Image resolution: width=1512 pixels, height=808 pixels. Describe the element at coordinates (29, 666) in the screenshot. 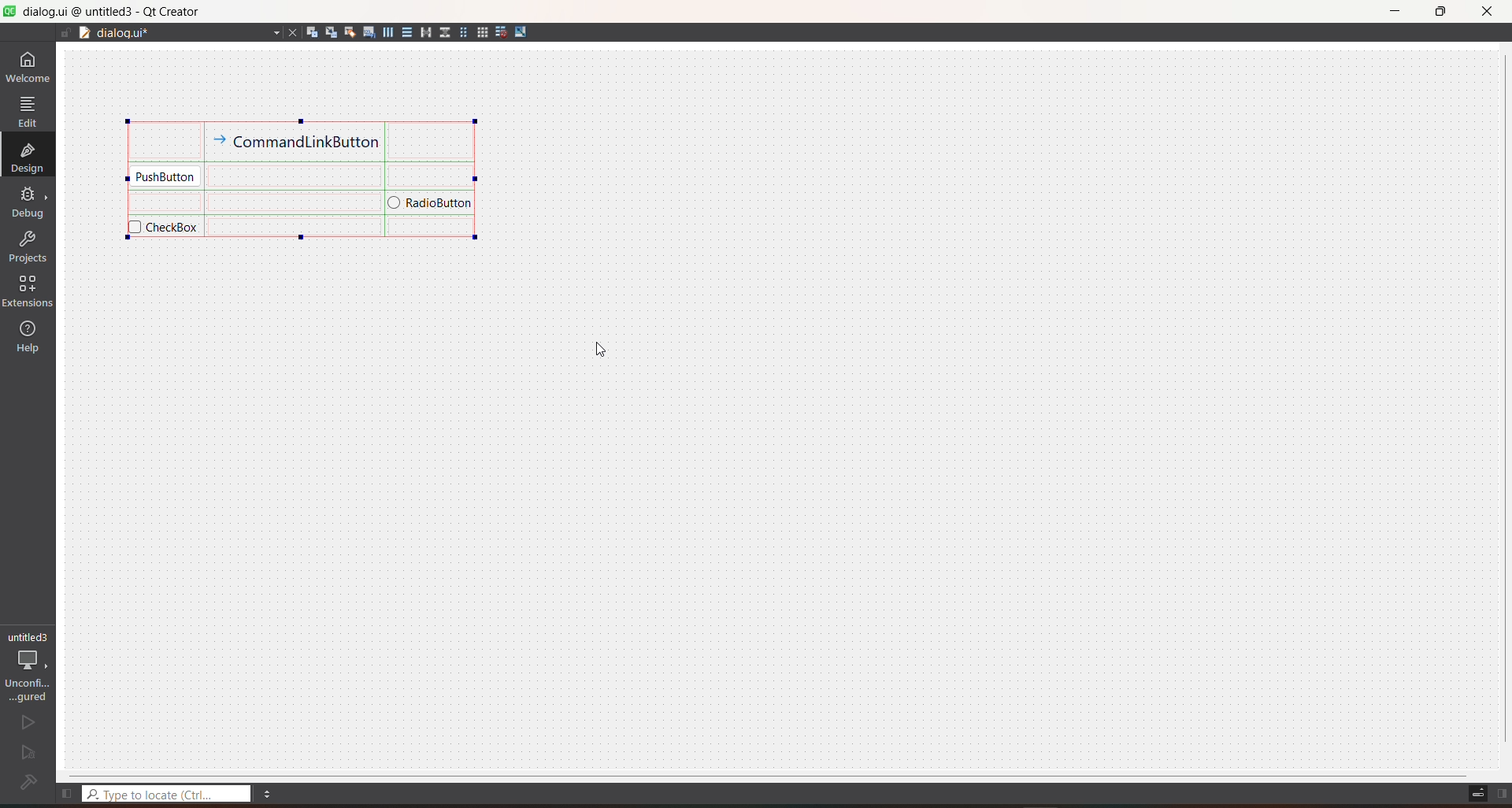

I see `project configuration` at that location.